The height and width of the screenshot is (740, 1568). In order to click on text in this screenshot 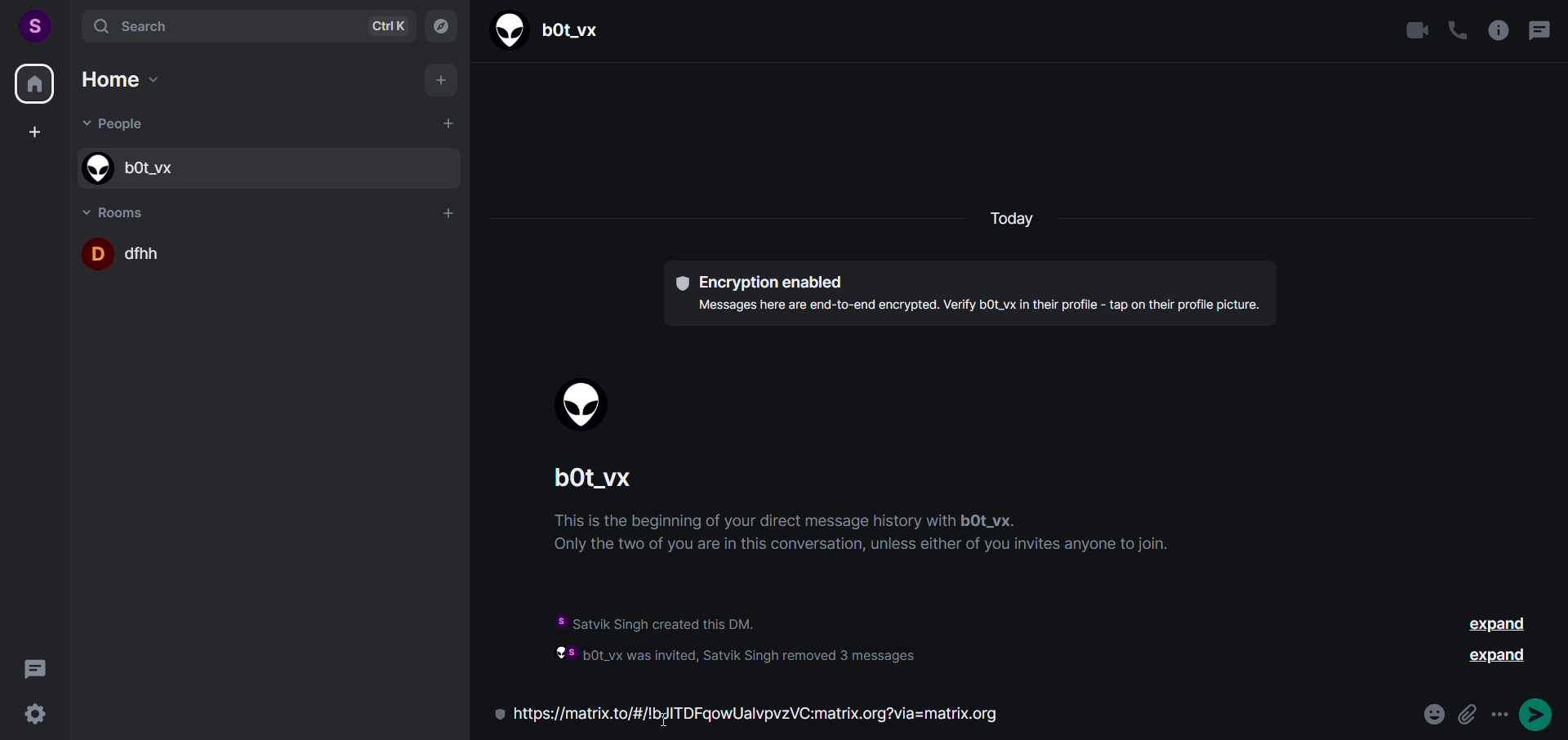, I will do `click(974, 293)`.